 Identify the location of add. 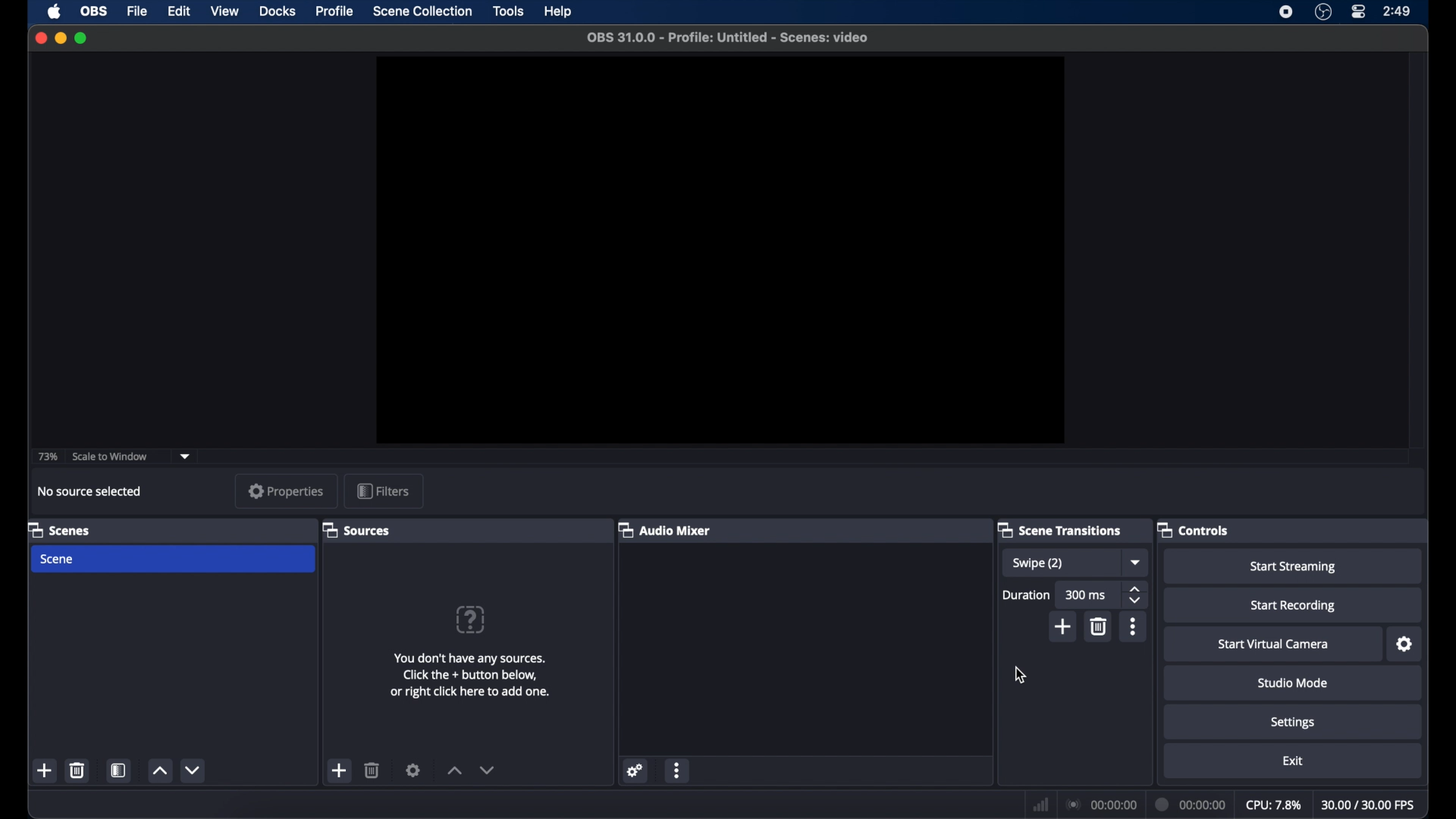
(1062, 629).